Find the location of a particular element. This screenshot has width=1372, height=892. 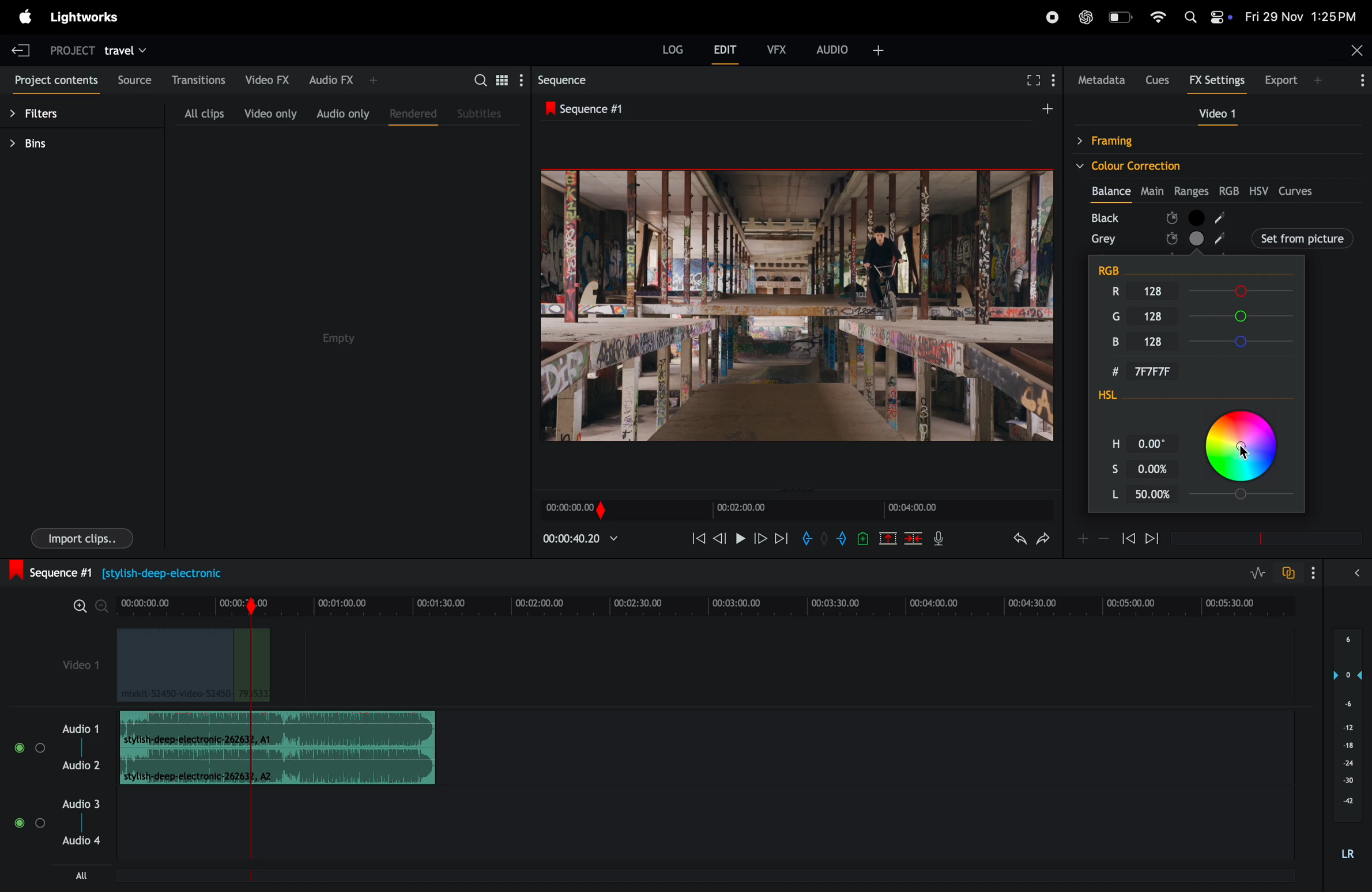

HSL is located at coordinates (1129, 397).